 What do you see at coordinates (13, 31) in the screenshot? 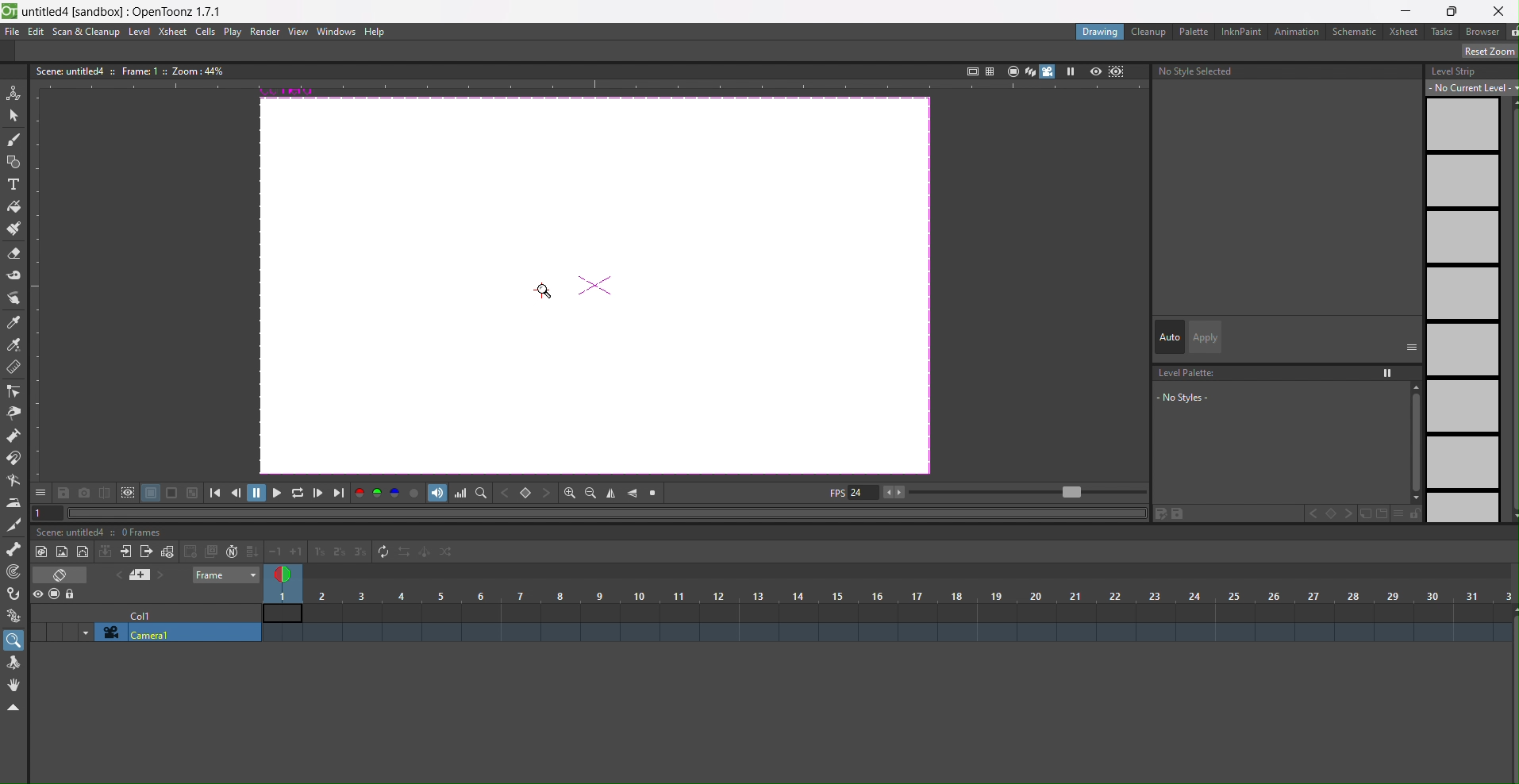
I see `file` at bounding box center [13, 31].